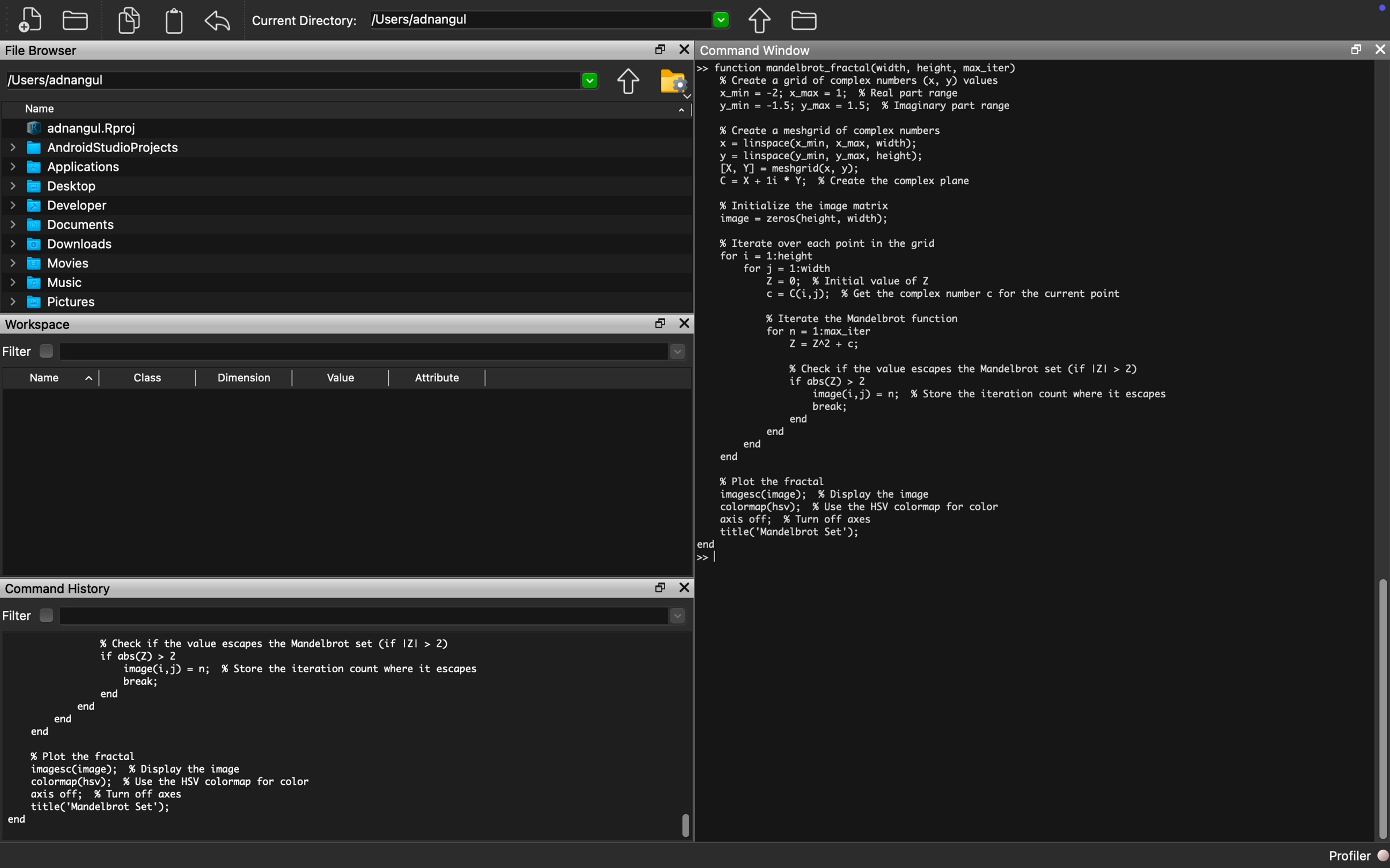 This screenshot has width=1390, height=868. What do you see at coordinates (300, 81) in the screenshot?
I see `/Users/adnangul ` at bounding box center [300, 81].